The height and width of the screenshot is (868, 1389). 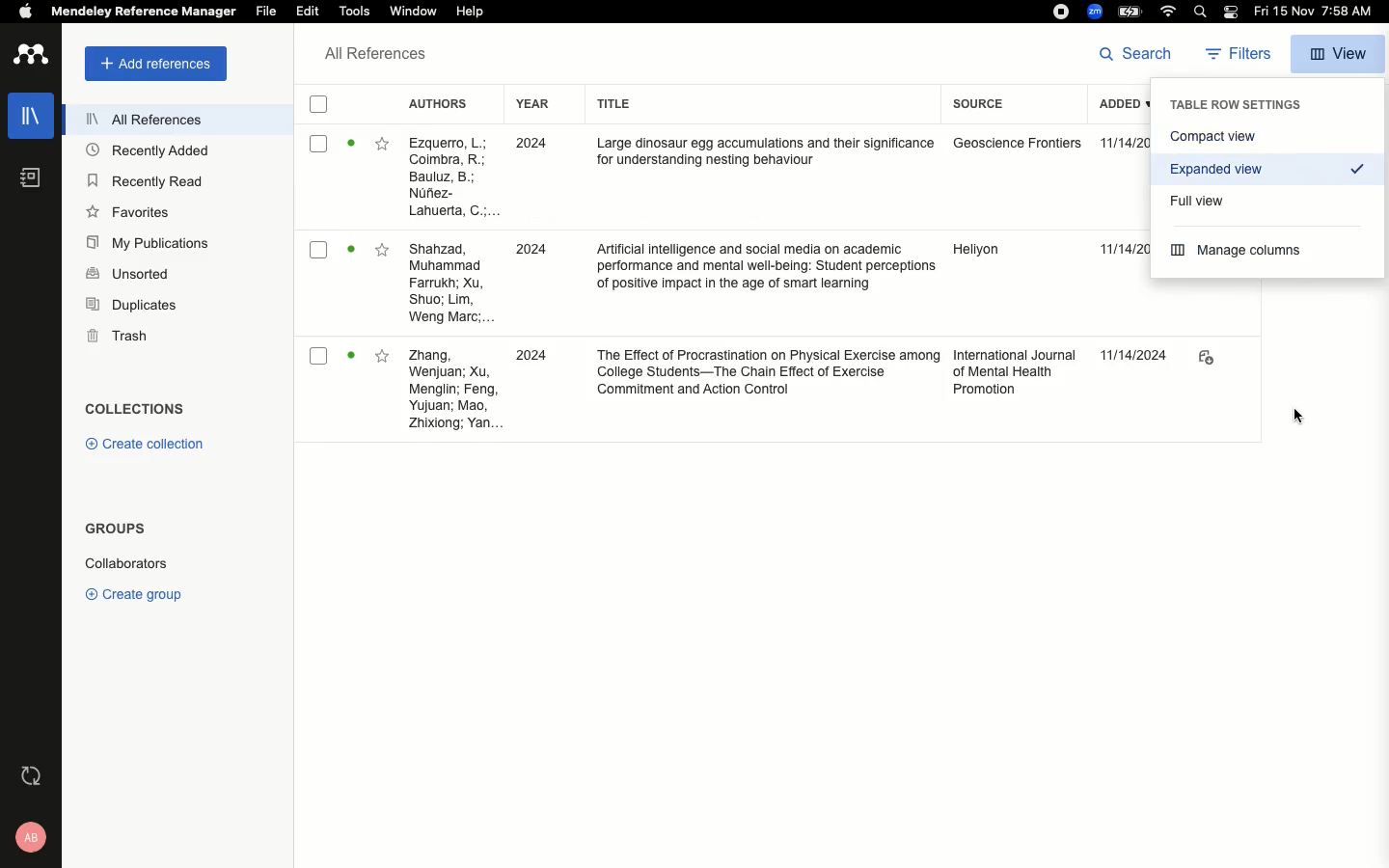 I want to click on Artificial intelligence and social media on academic
performance and mental well-being: Student perceptions
of positive impact in the age of smart leaming, so click(x=766, y=270).